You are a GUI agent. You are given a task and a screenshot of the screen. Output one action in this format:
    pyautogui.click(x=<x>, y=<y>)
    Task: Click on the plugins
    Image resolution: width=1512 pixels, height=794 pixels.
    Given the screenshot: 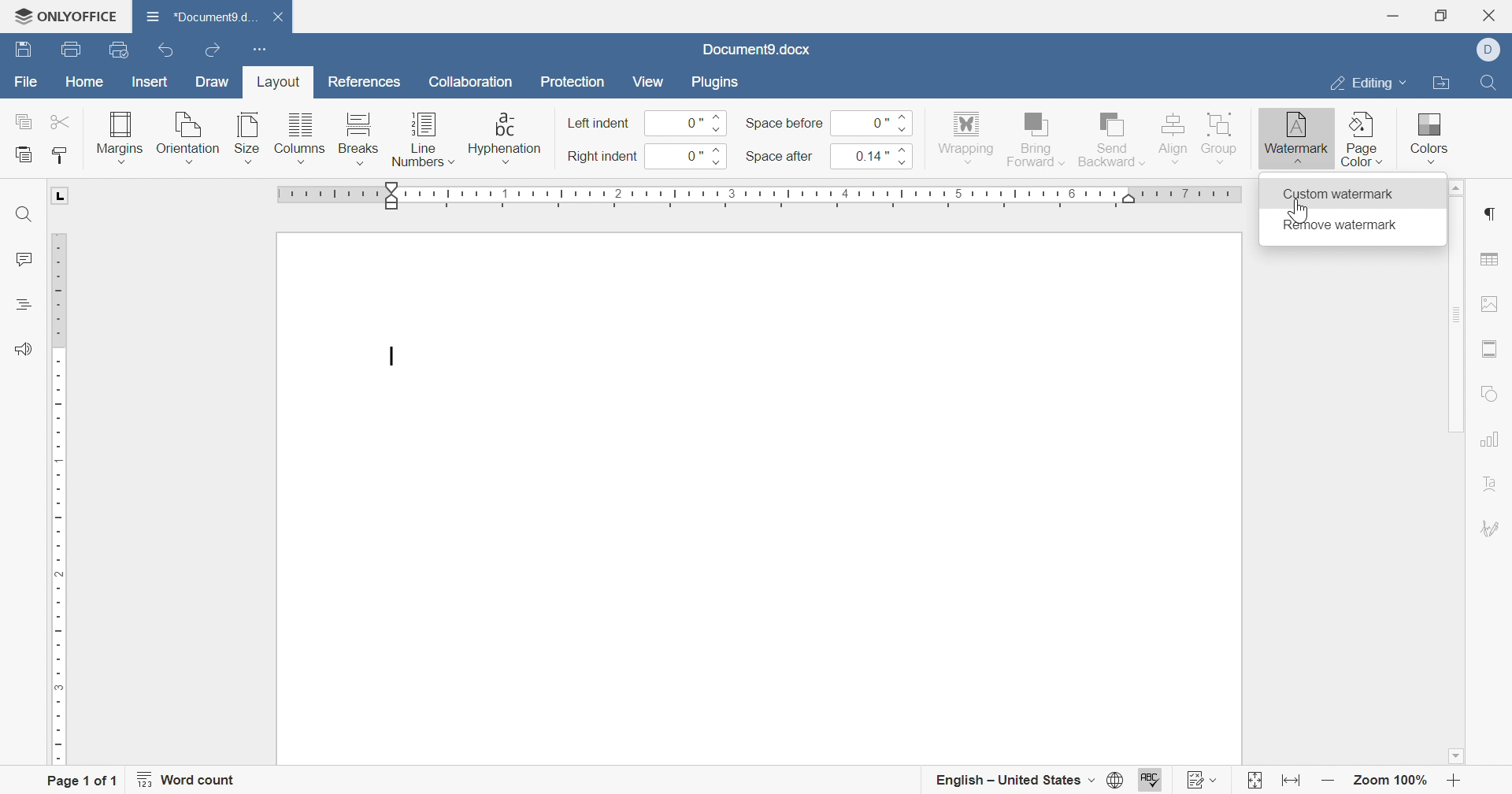 What is the action you would take?
    pyautogui.click(x=712, y=80)
    